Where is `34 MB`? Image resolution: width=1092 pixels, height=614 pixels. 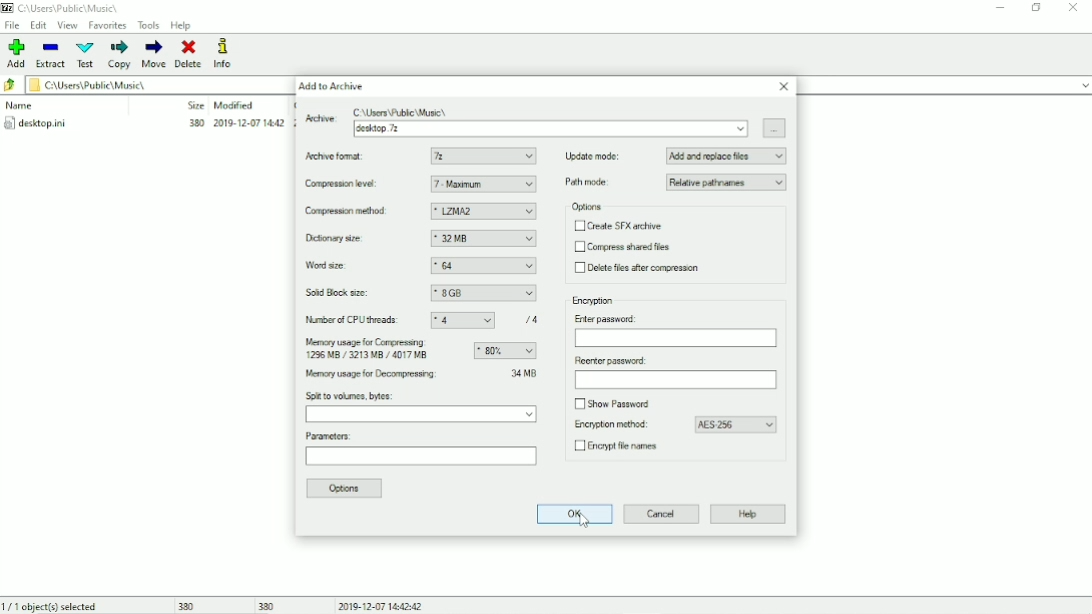
34 MB is located at coordinates (524, 372).